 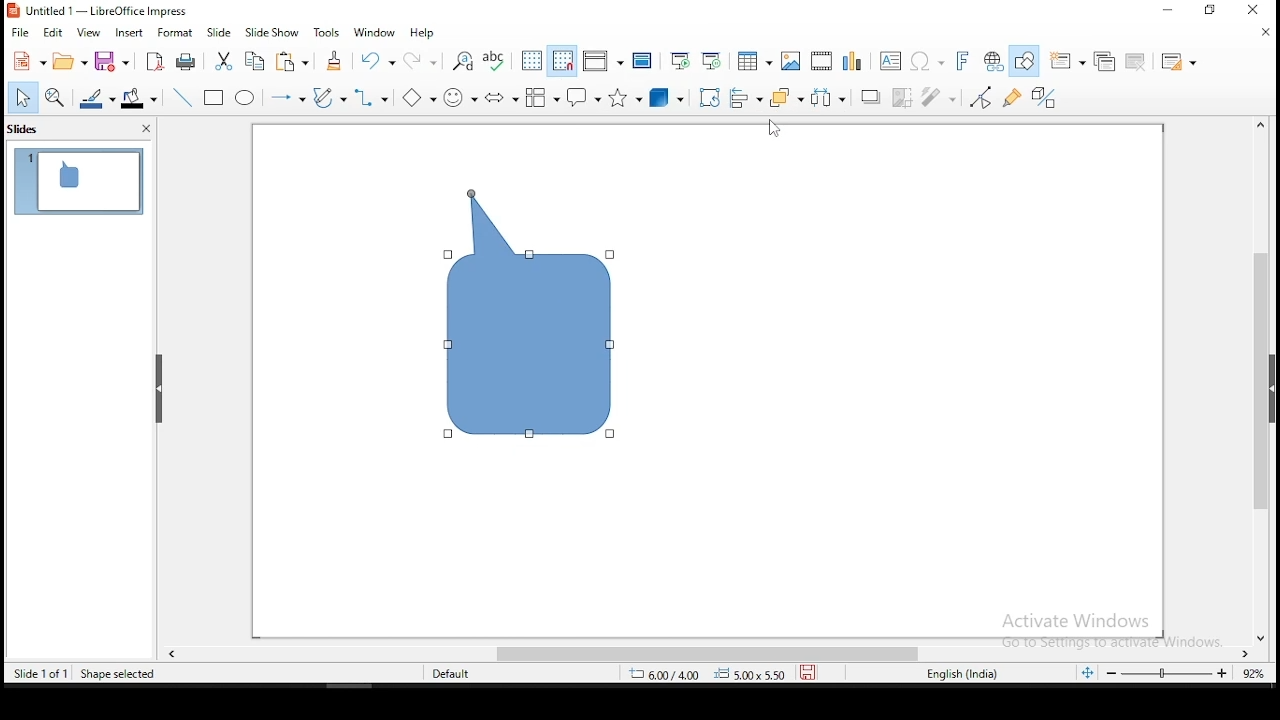 What do you see at coordinates (643, 62) in the screenshot?
I see `master slide` at bounding box center [643, 62].